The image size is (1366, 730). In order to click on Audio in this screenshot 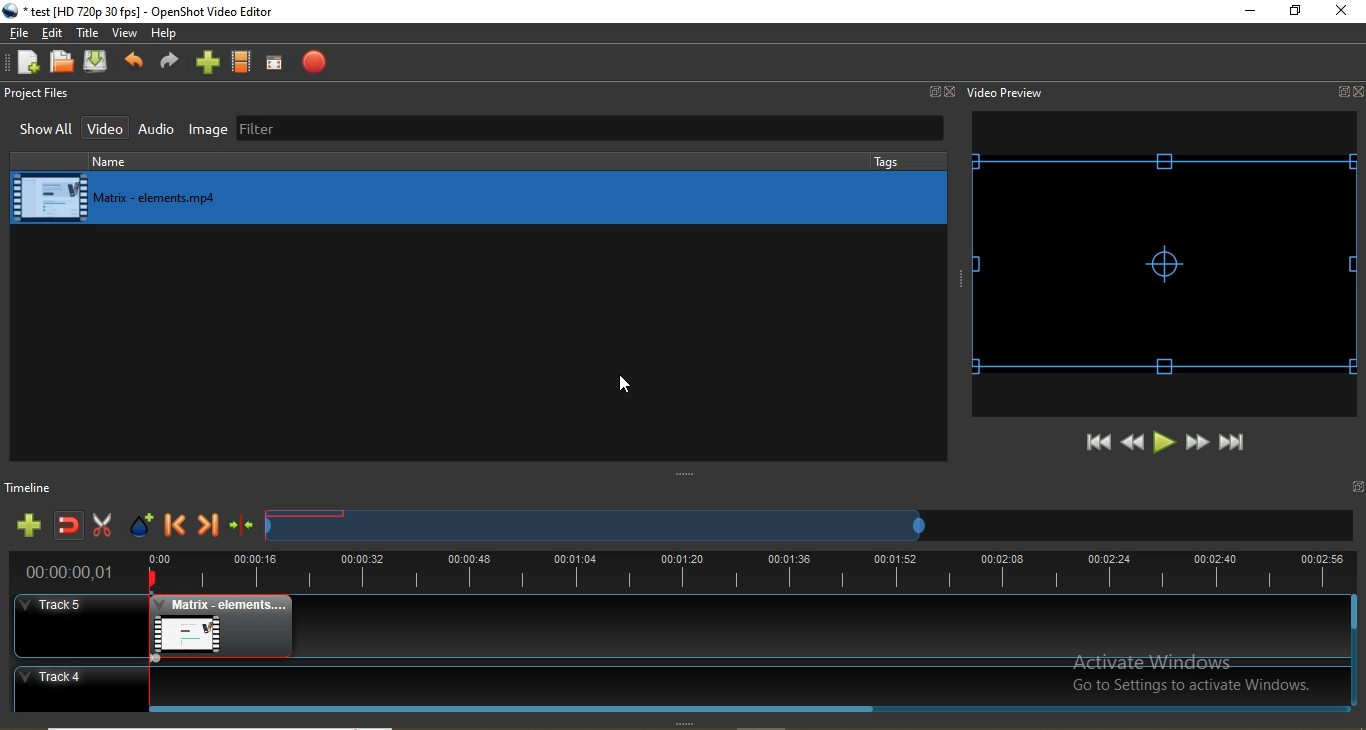, I will do `click(158, 130)`.